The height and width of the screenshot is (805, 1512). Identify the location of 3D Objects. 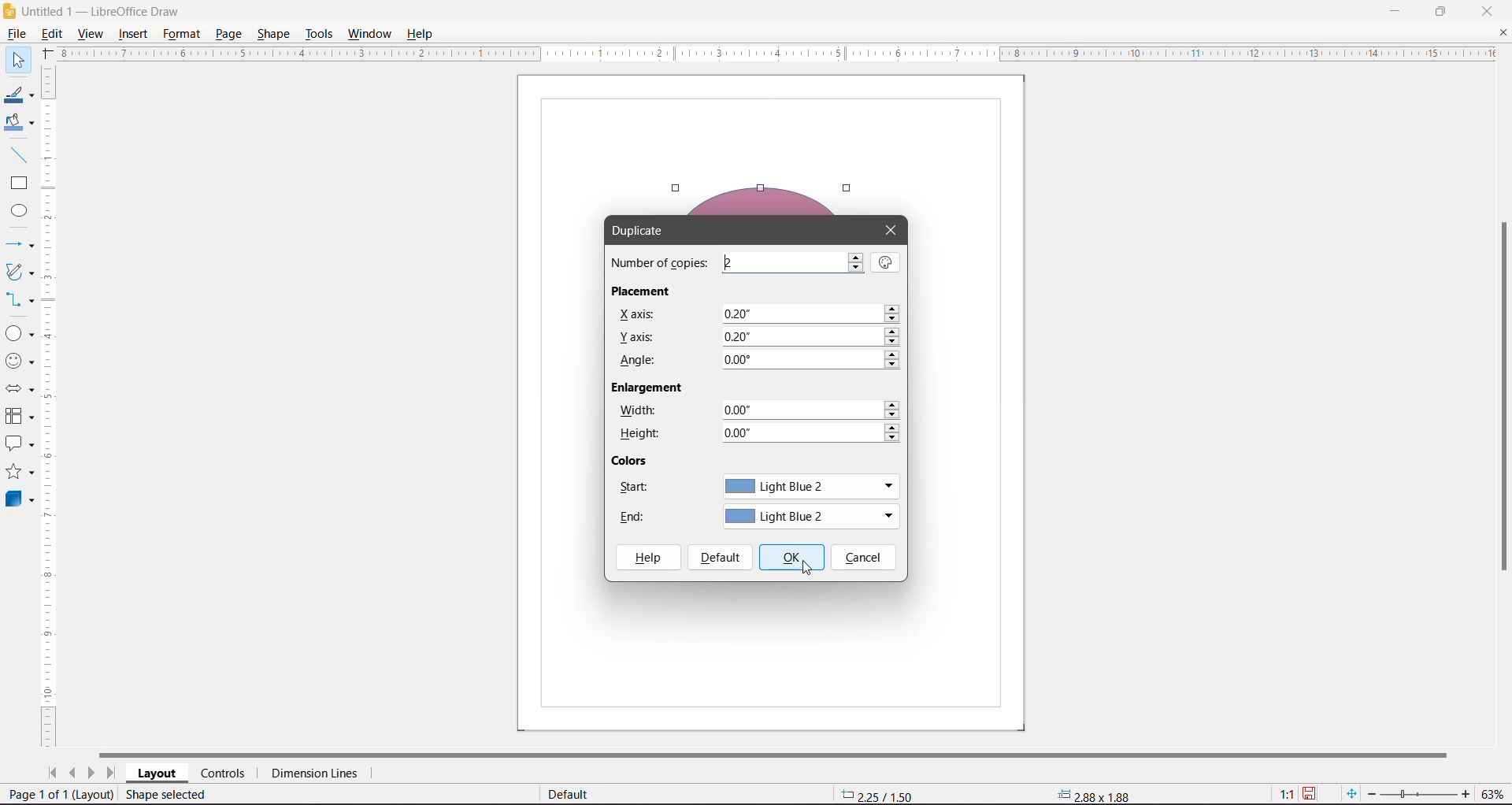
(20, 500).